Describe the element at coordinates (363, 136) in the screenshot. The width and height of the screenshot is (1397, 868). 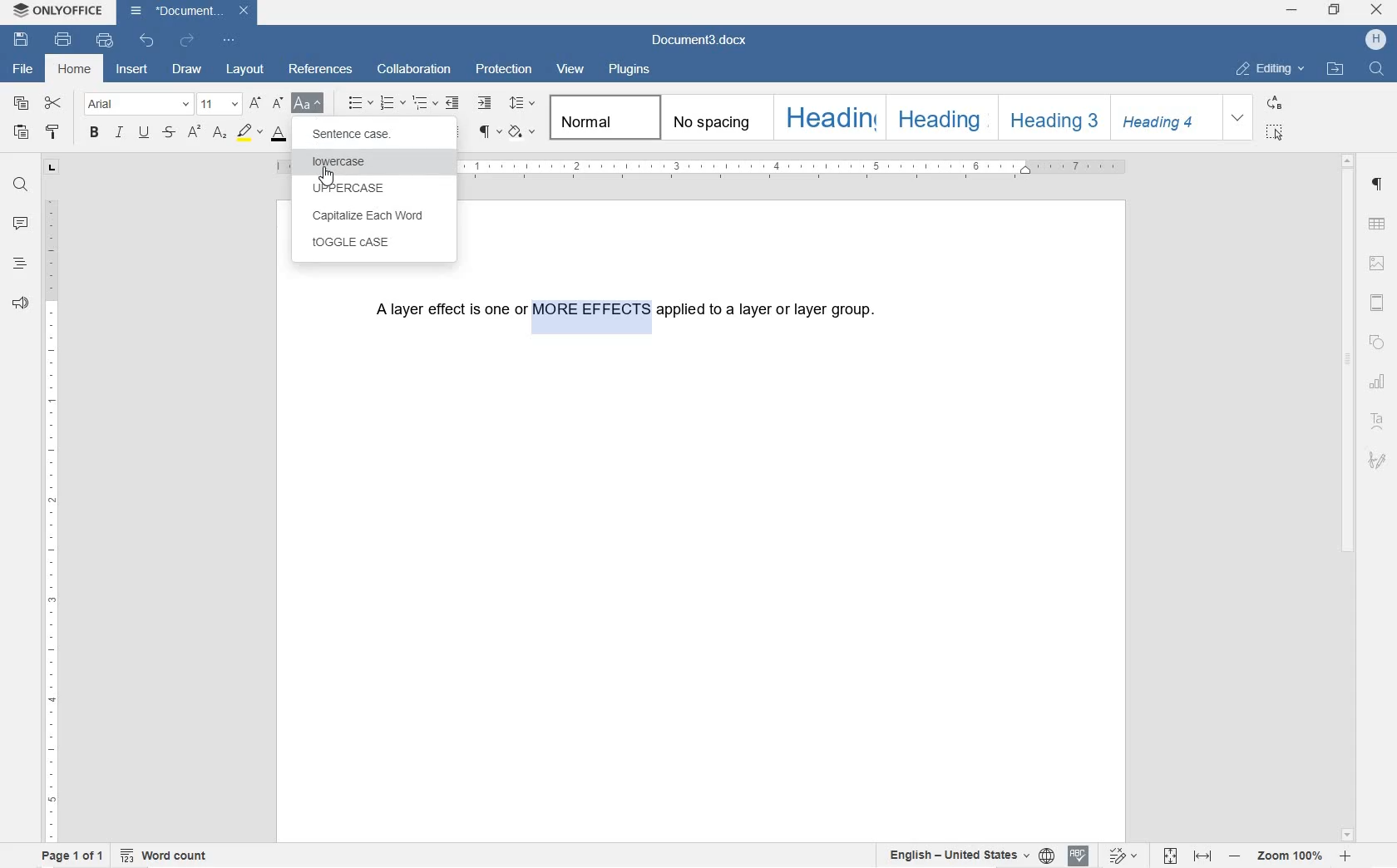
I see `SENTENCE CASE` at that location.